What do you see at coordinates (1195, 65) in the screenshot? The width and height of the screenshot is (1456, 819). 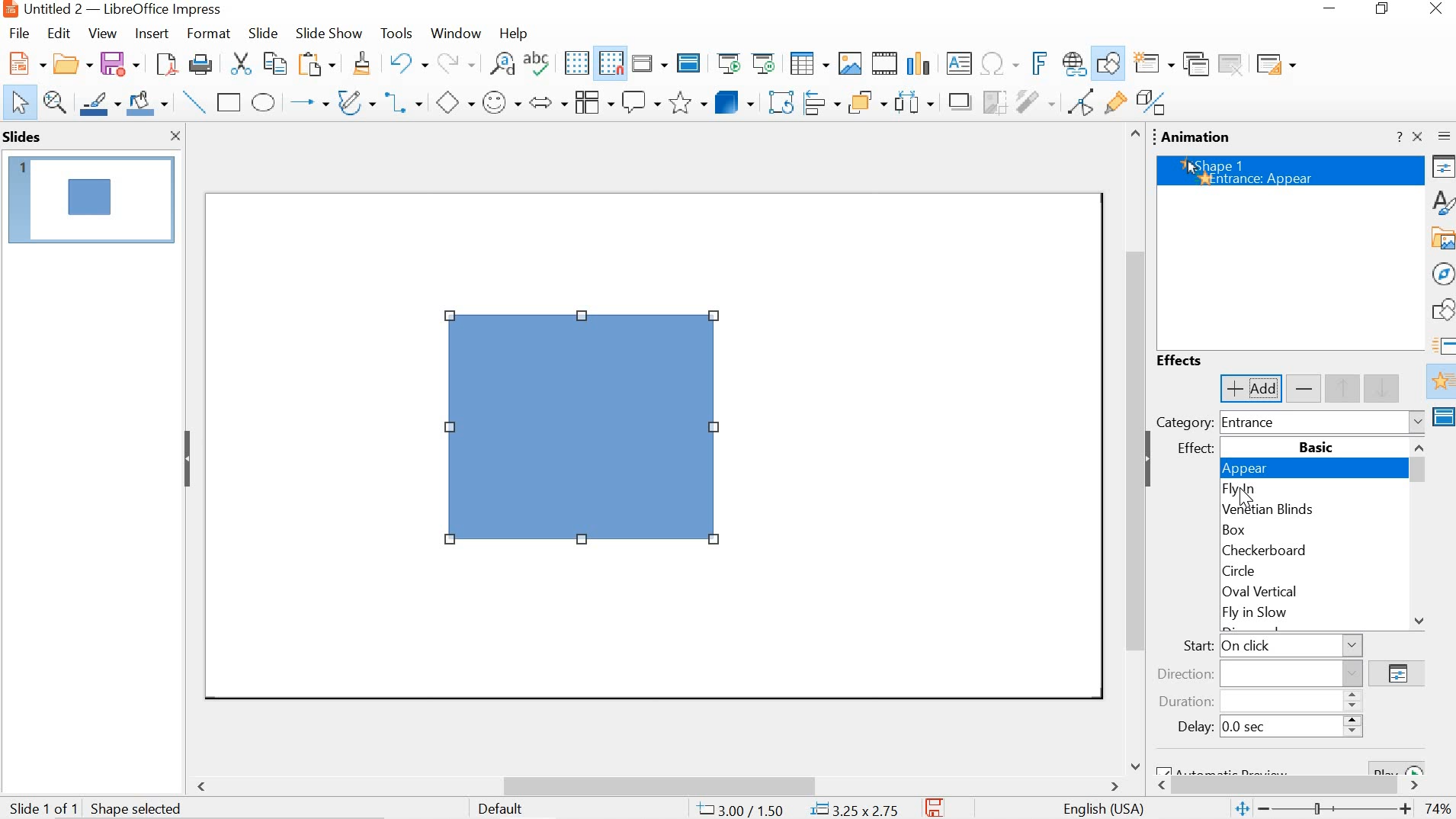 I see `duplicate slide` at bounding box center [1195, 65].